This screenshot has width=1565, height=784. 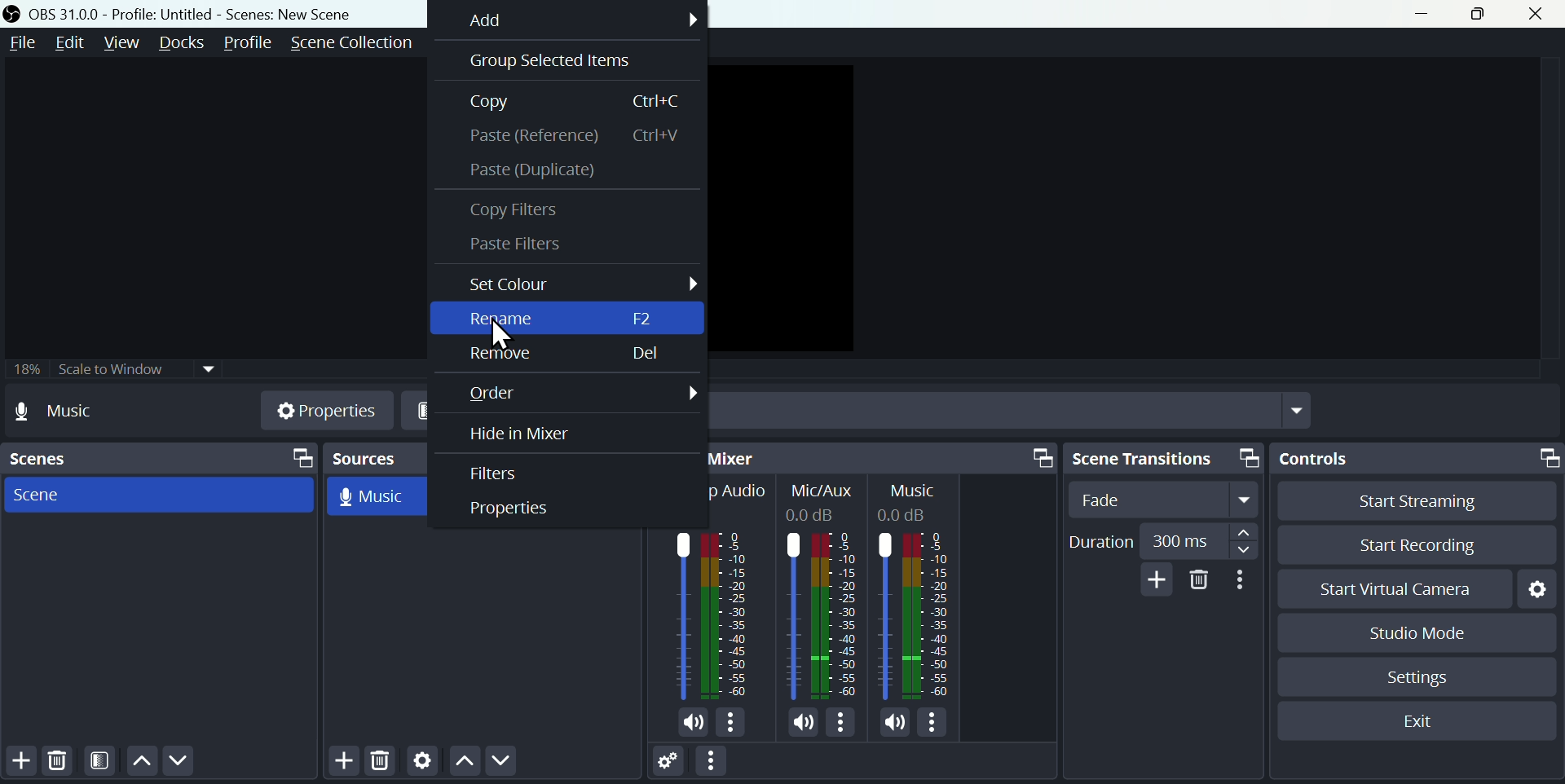 What do you see at coordinates (1422, 679) in the screenshot?
I see `Settings` at bounding box center [1422, 679].